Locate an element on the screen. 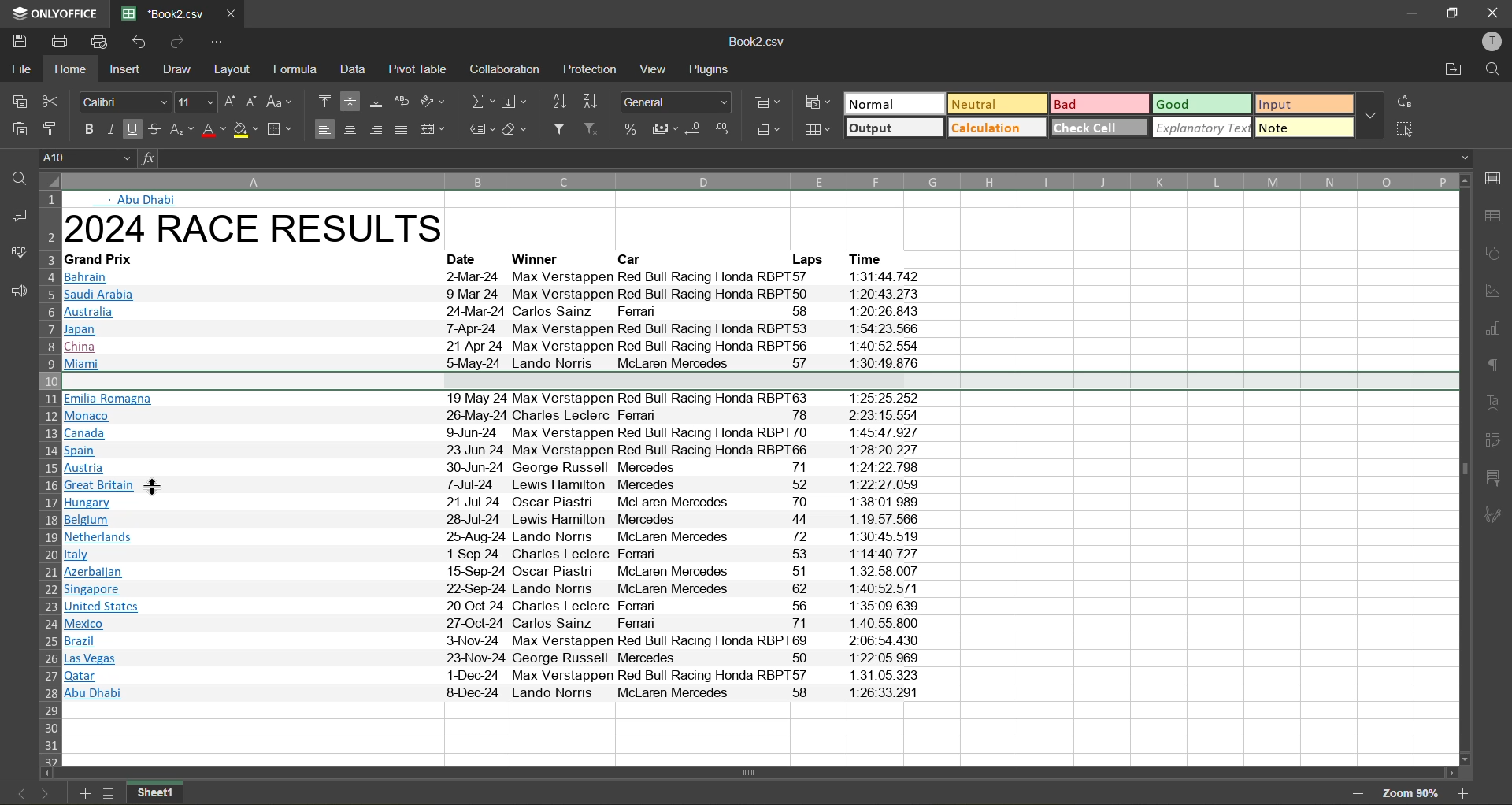 The width and height of the screenshot is (1512, 805). spellcheck is located at coordinates (15, 254).